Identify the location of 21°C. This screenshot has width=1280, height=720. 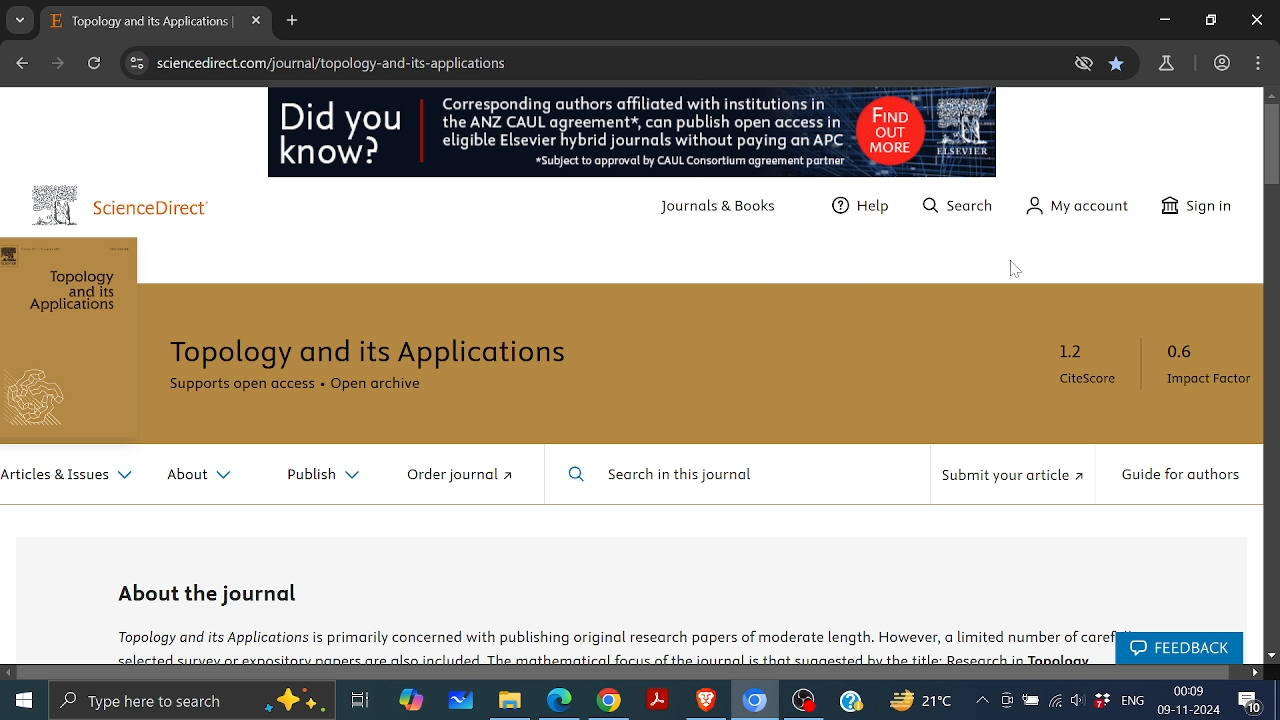
(922, 701).